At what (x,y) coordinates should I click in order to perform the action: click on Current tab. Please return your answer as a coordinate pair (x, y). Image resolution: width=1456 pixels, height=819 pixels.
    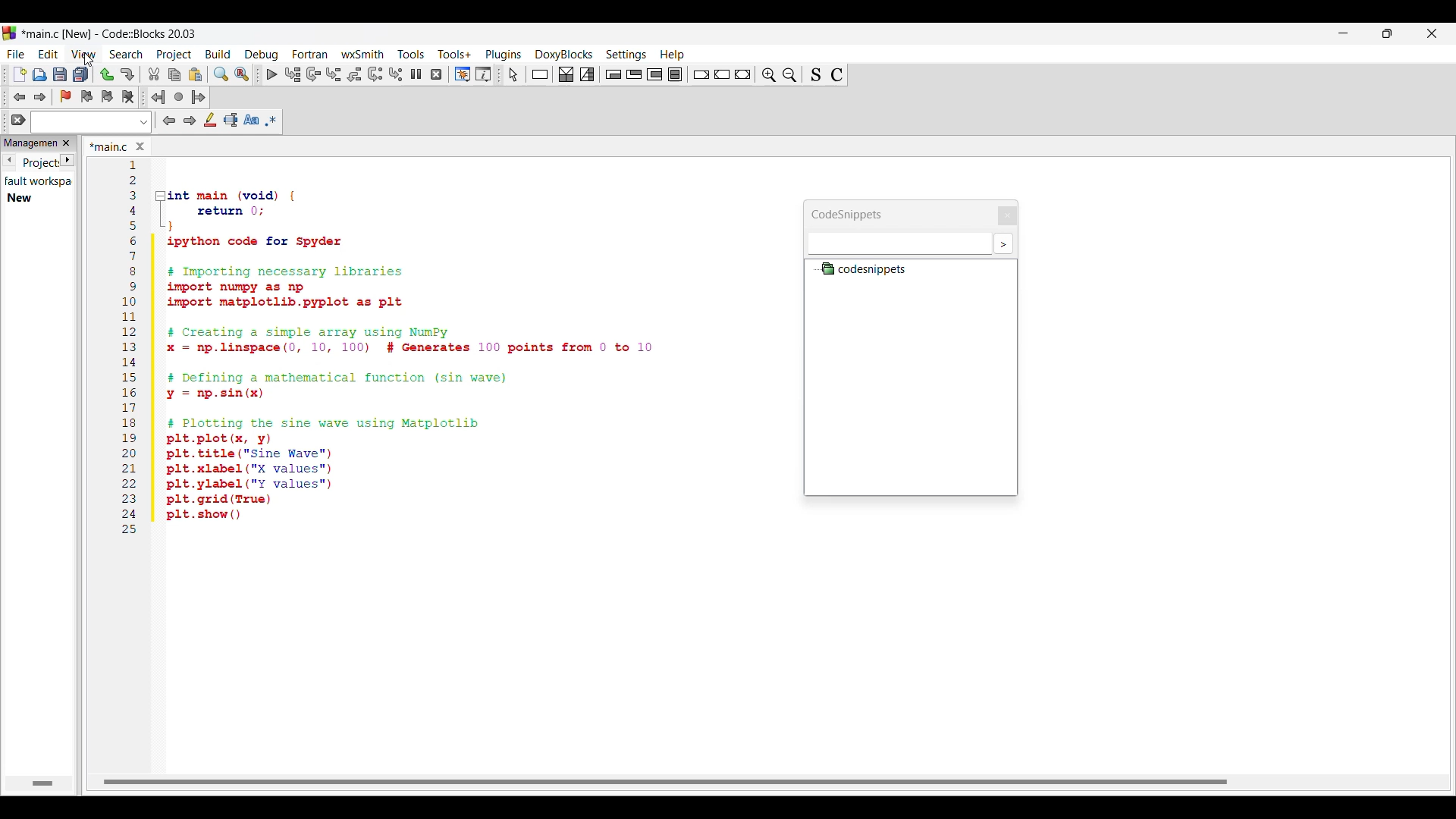
    Looking at the image, I should click on (112, 149).